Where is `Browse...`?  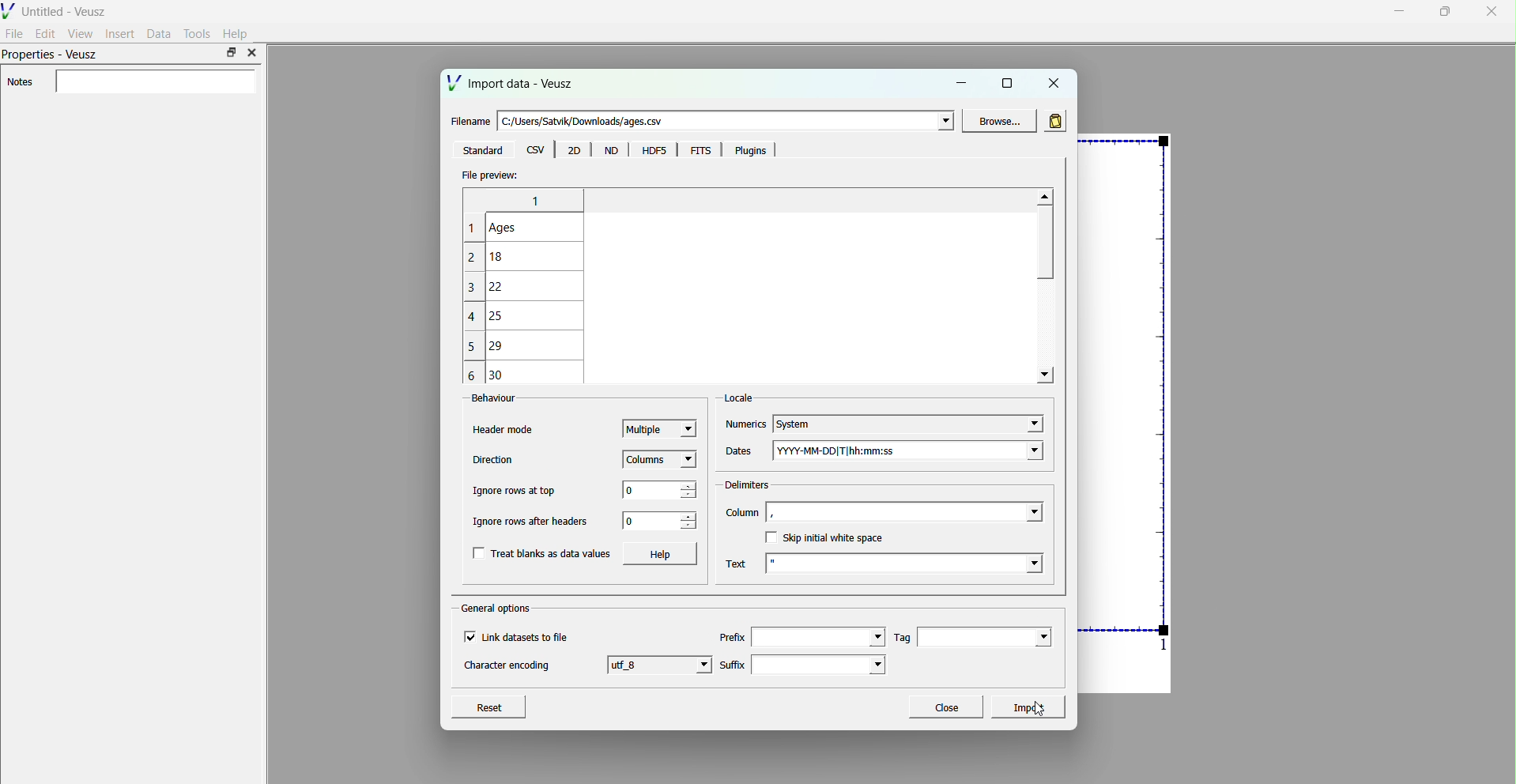 Browse... is located at coordinates (997, 121).